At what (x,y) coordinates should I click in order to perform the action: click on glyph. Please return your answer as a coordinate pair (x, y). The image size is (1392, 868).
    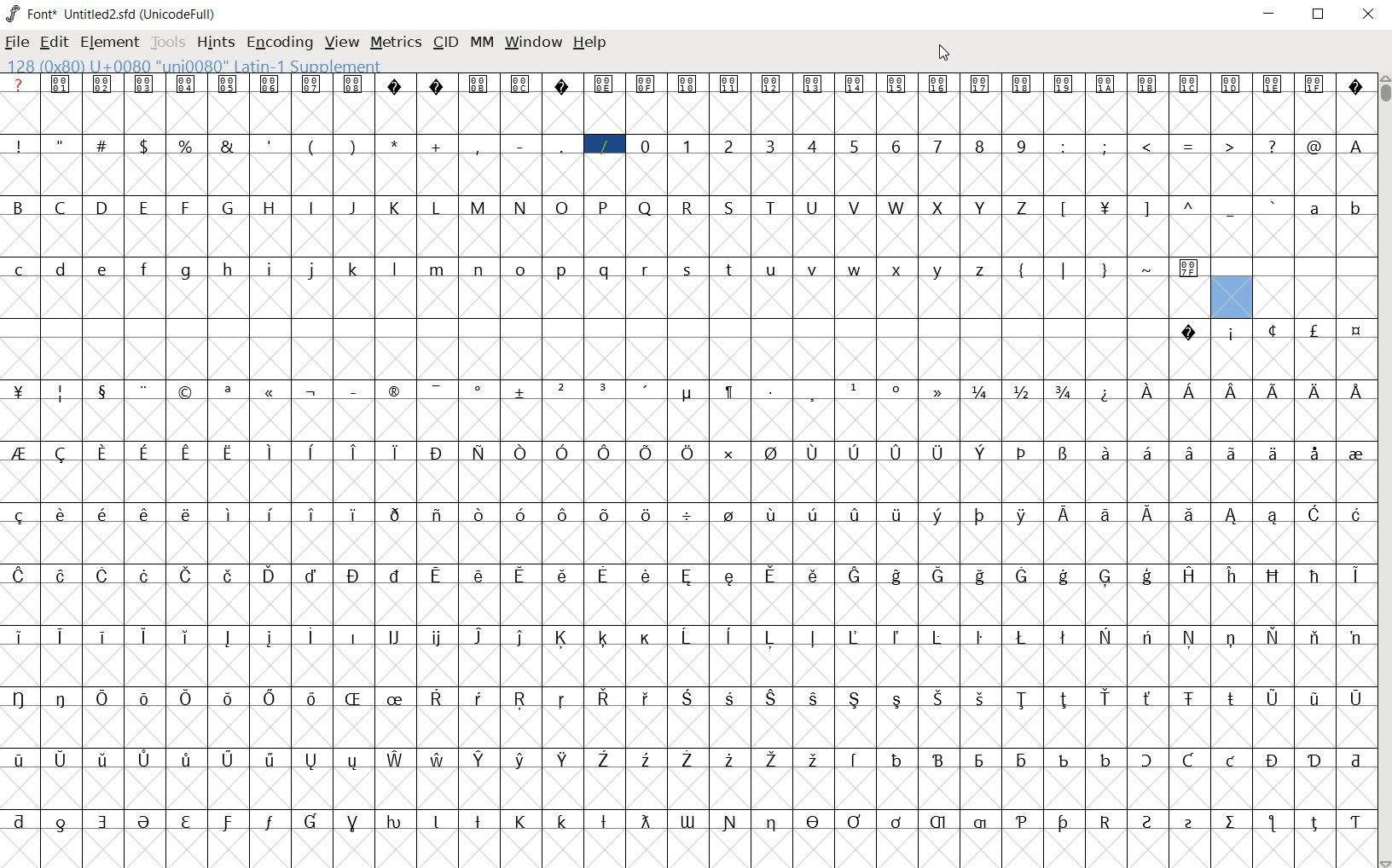
    Looking at the image, I should click on (936, 516).